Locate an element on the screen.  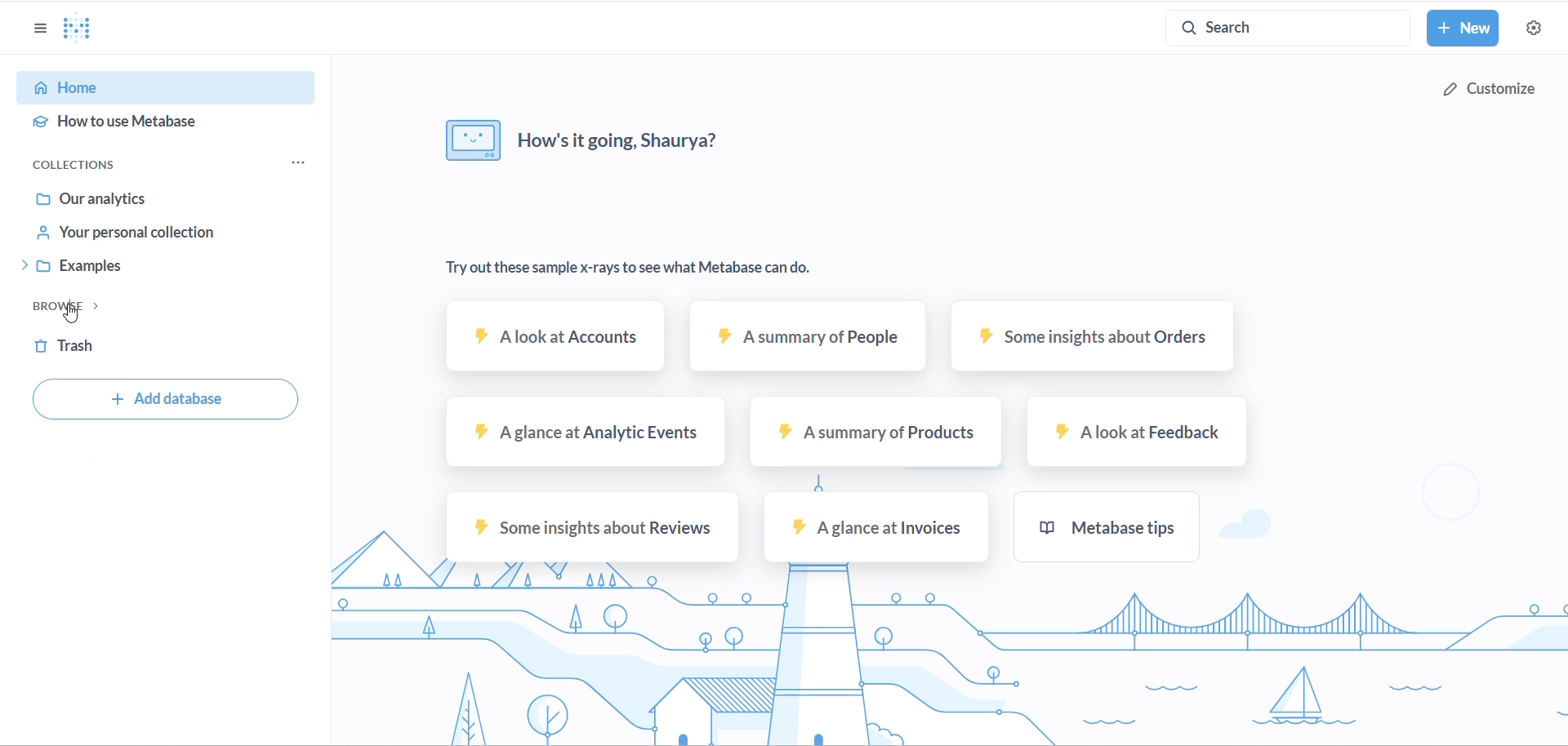
Add database is located at coordinates (166, 400).